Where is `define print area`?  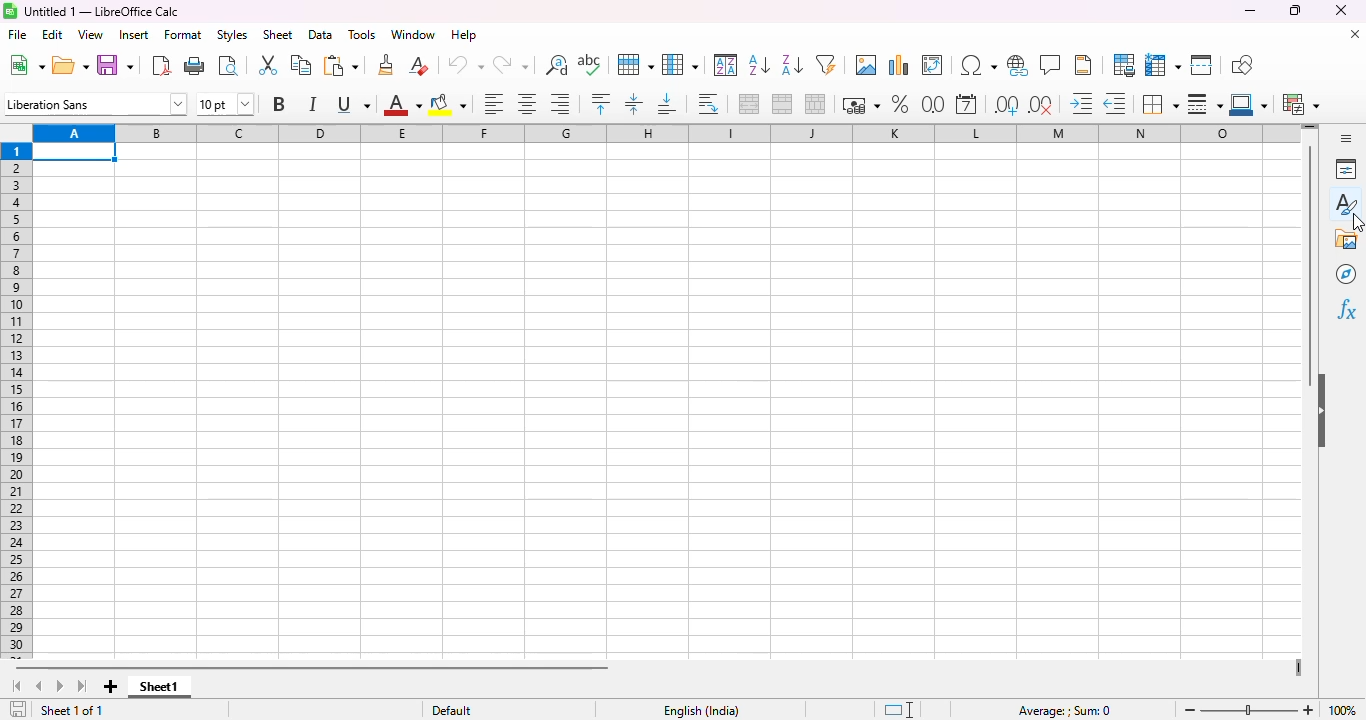 define print area is located at coordinates (1124, 65).